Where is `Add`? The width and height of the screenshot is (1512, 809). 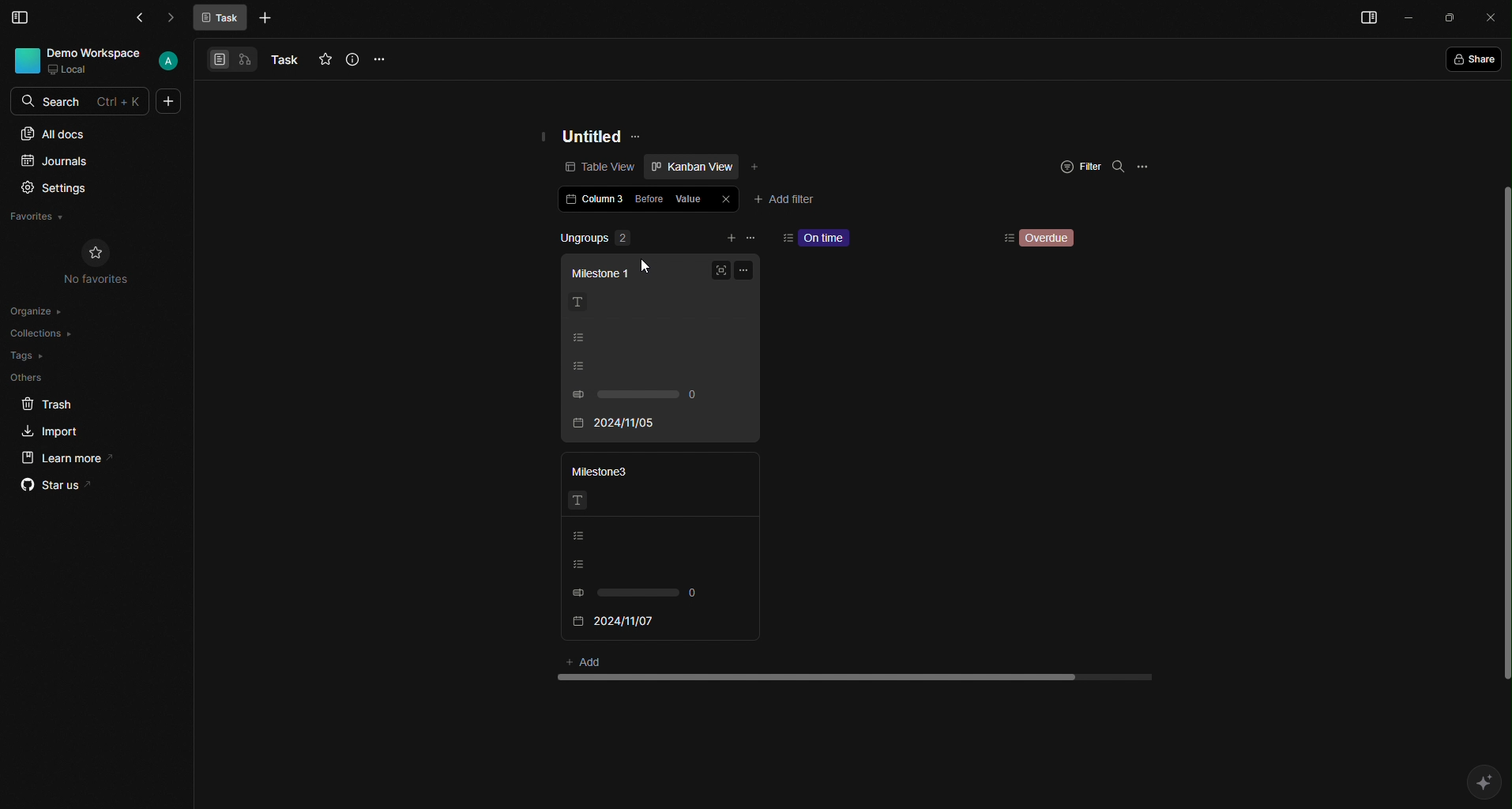 Add is located at coordinates (758, 165).